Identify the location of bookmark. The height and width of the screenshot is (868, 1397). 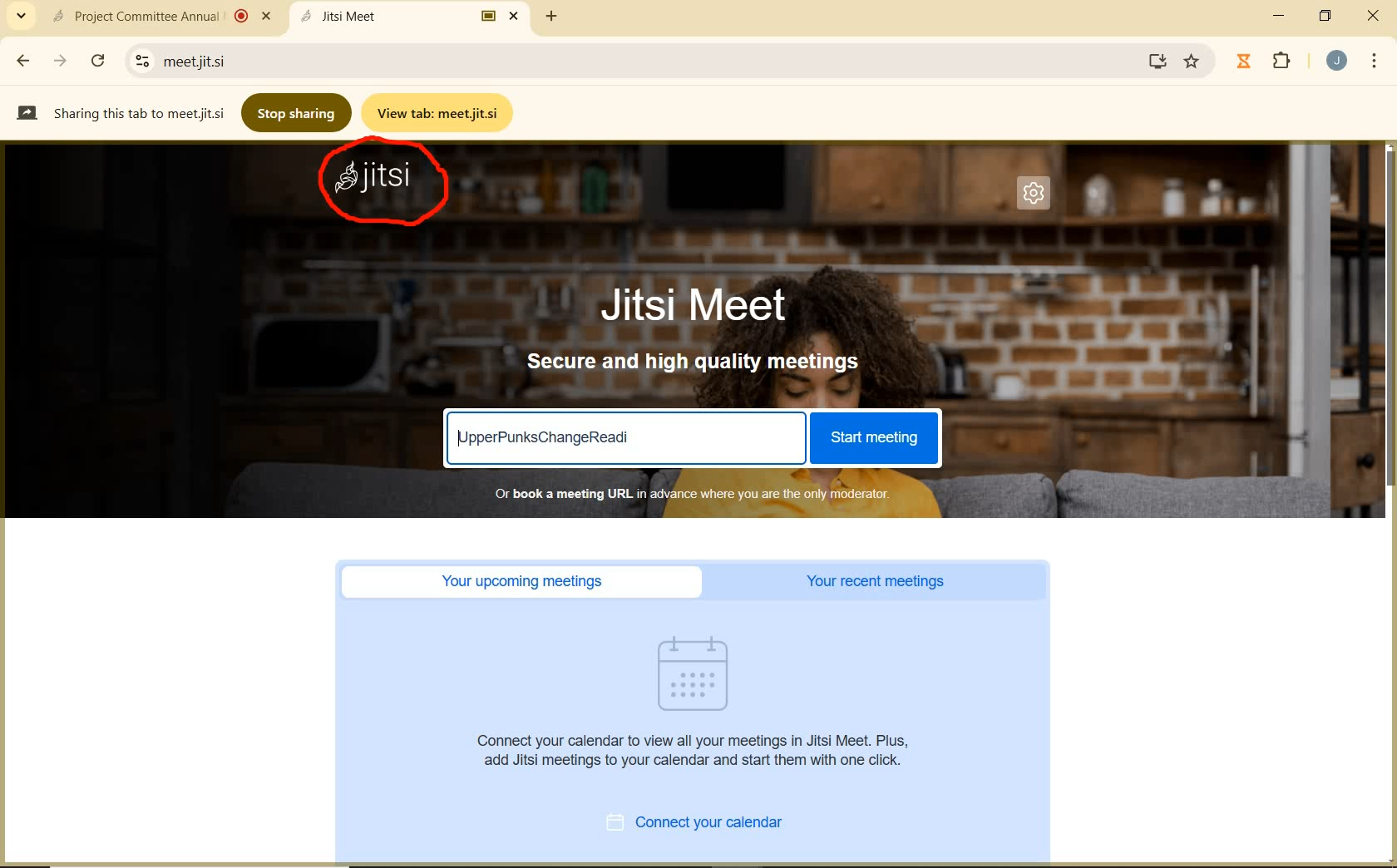
(1193, 62).